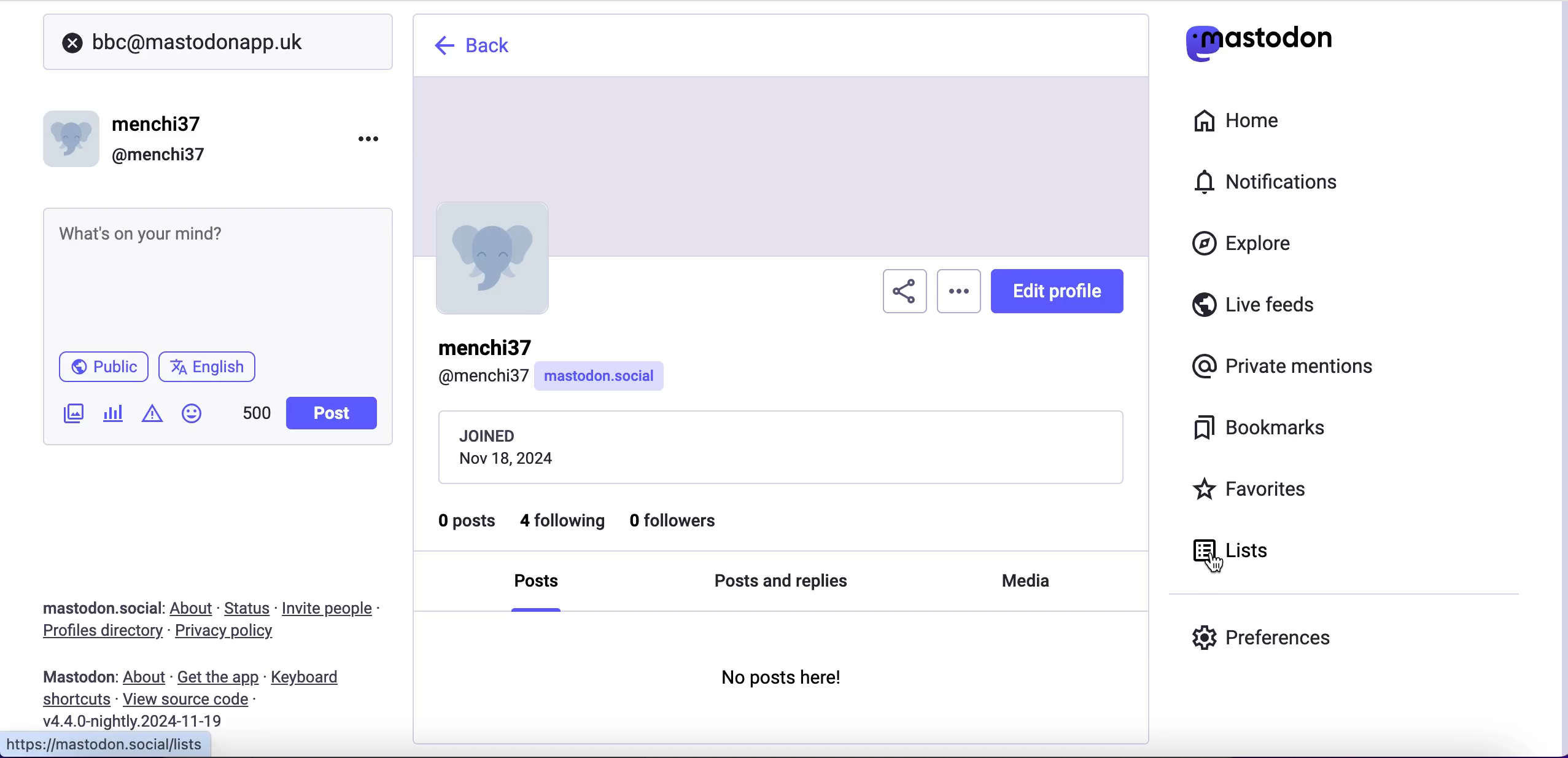 This screenshot has height=758, width=1568. I want to click on profiles directory, so click(95, 633).